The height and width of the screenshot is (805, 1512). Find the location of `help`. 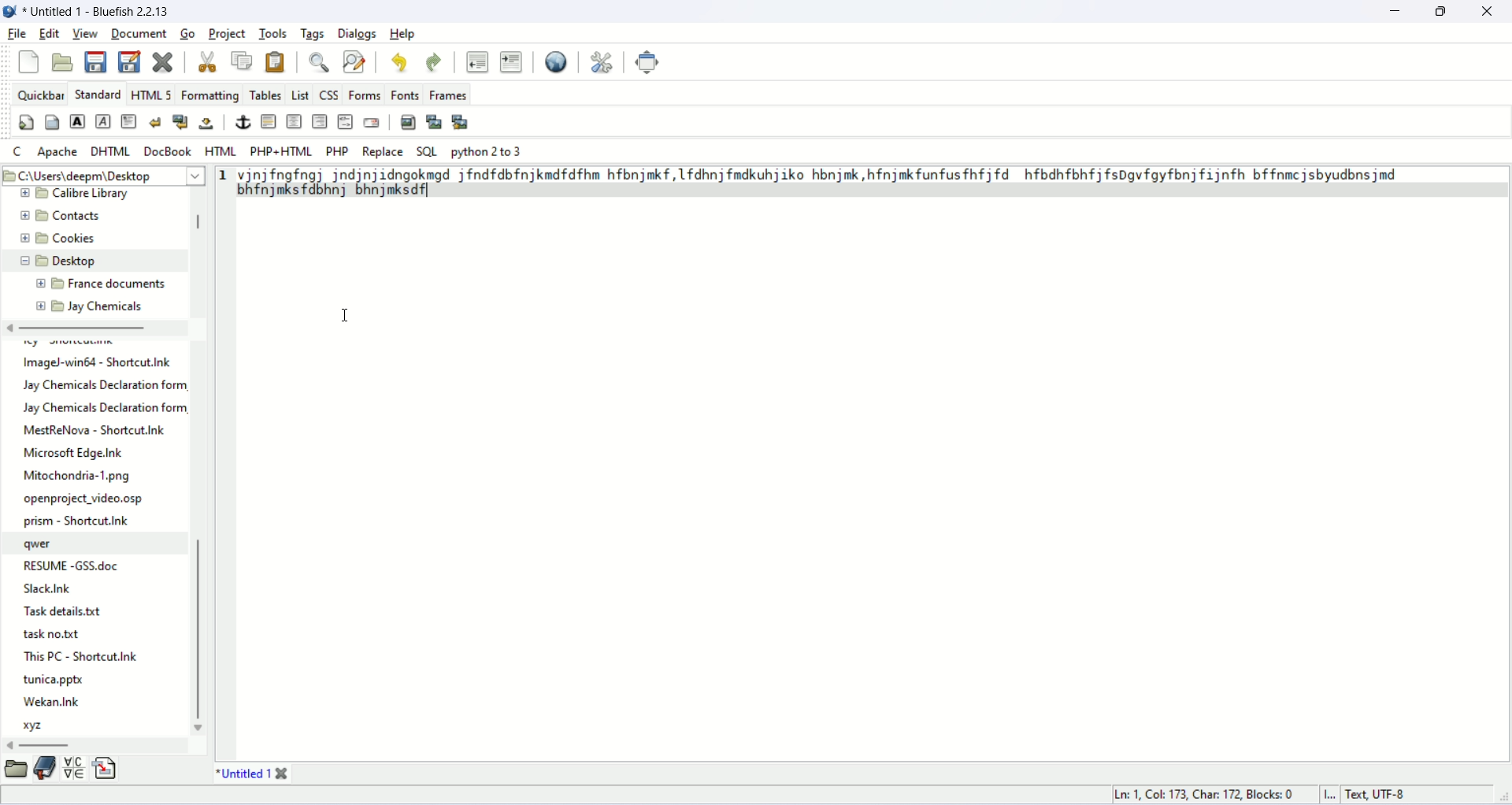

help is located at coordinates (407, 33).